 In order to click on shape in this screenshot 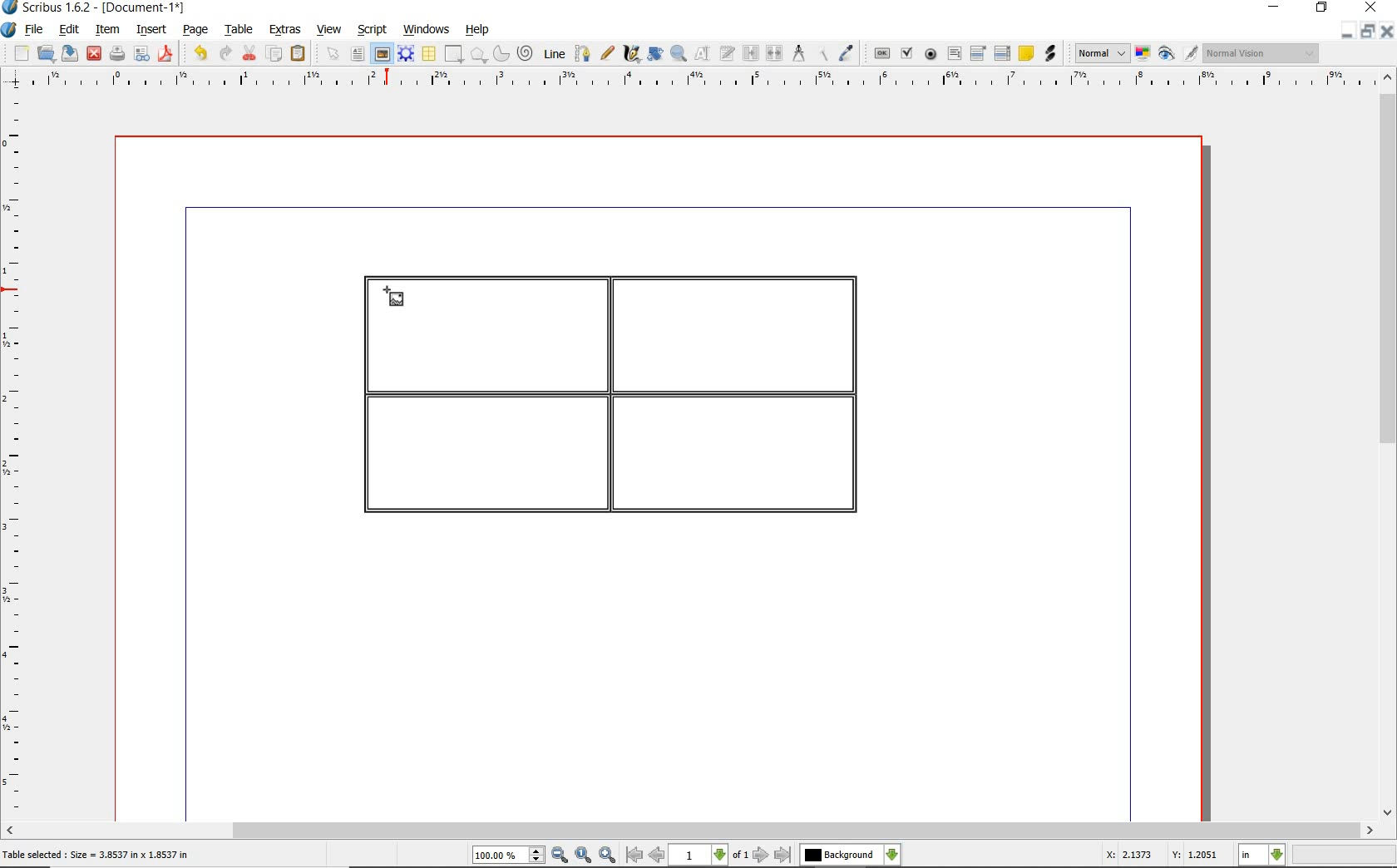, I will do `click(452, 55)`.